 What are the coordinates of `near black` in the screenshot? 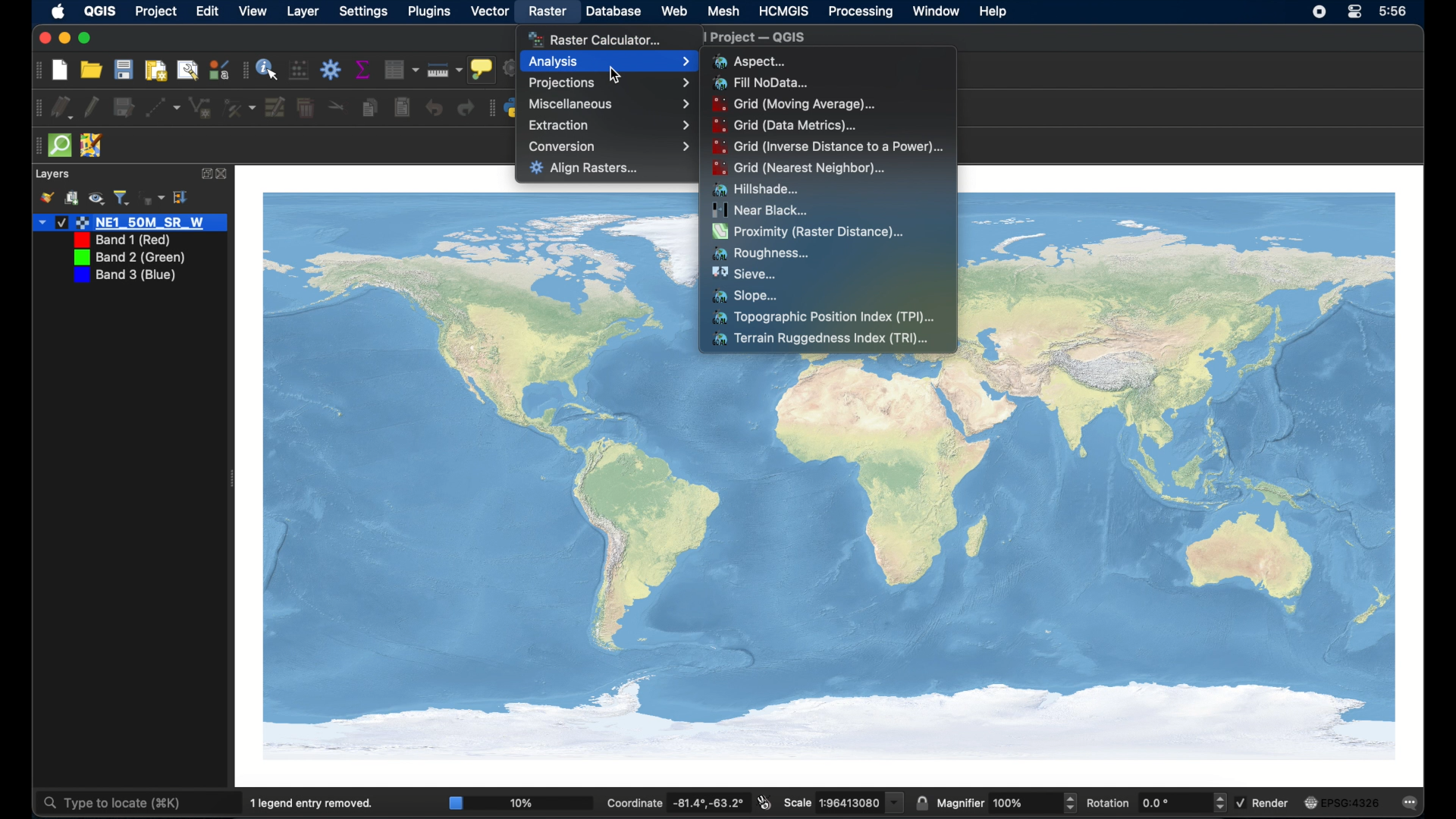 It's located at (760, 210).